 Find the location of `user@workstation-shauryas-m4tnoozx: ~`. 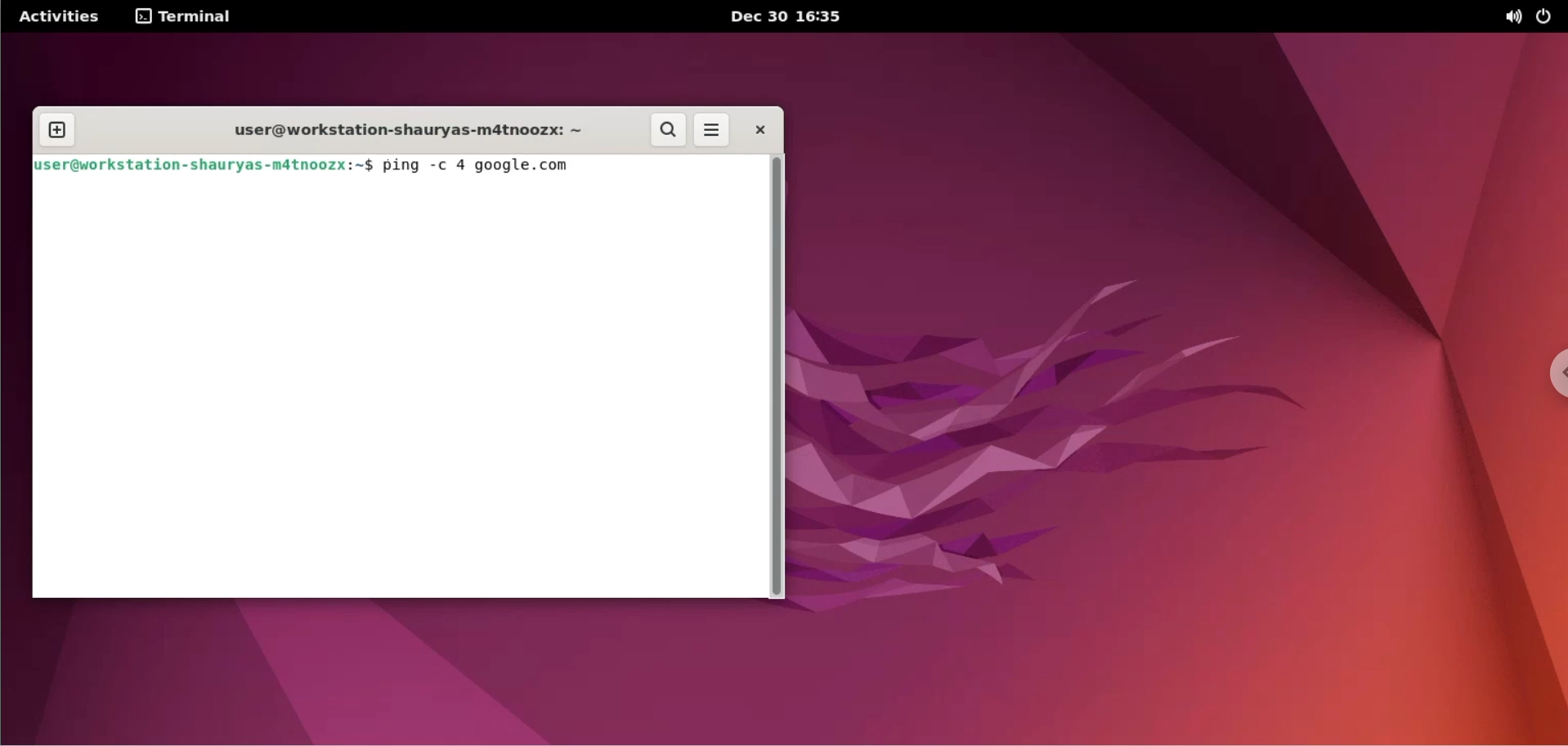

user@workstation-shauryas-m4tnoozx: ~ is located at coordinates (410, 131).